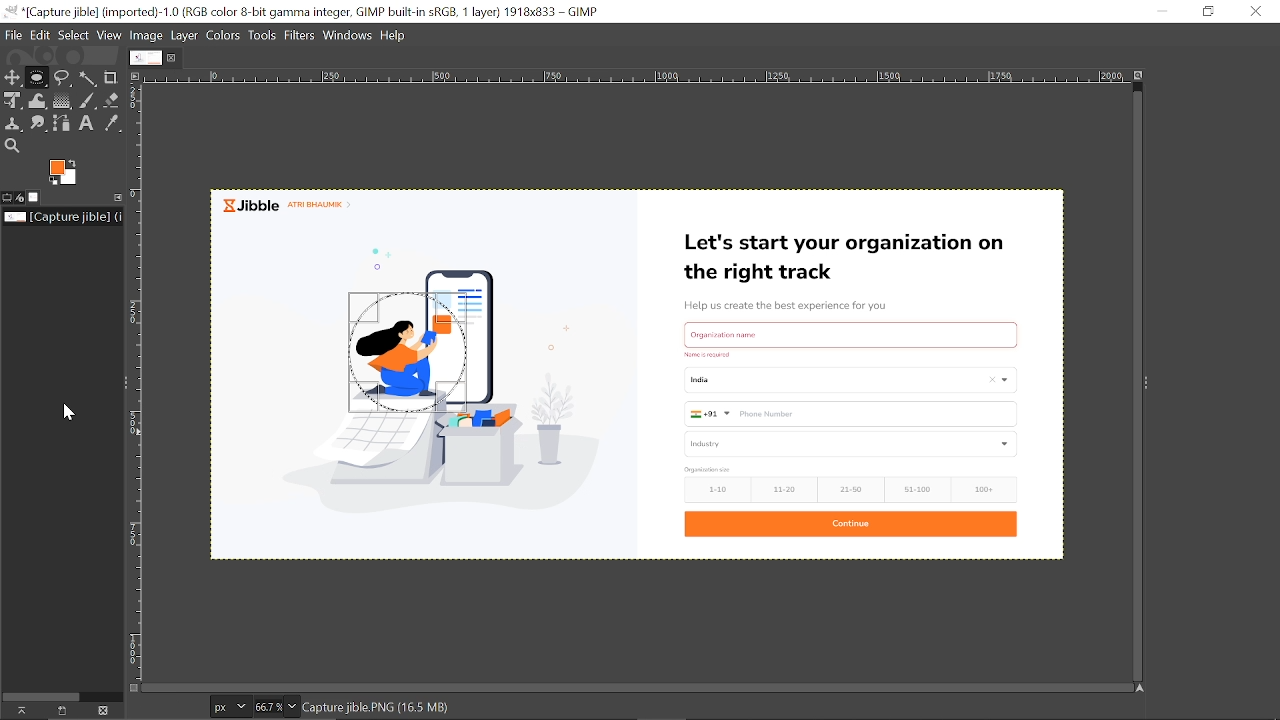 The width and height of the screenshot is (1280, 720). Describe the element at coordinates (11, 99) in the screenshot. I see `Unified transform tool` at that location.